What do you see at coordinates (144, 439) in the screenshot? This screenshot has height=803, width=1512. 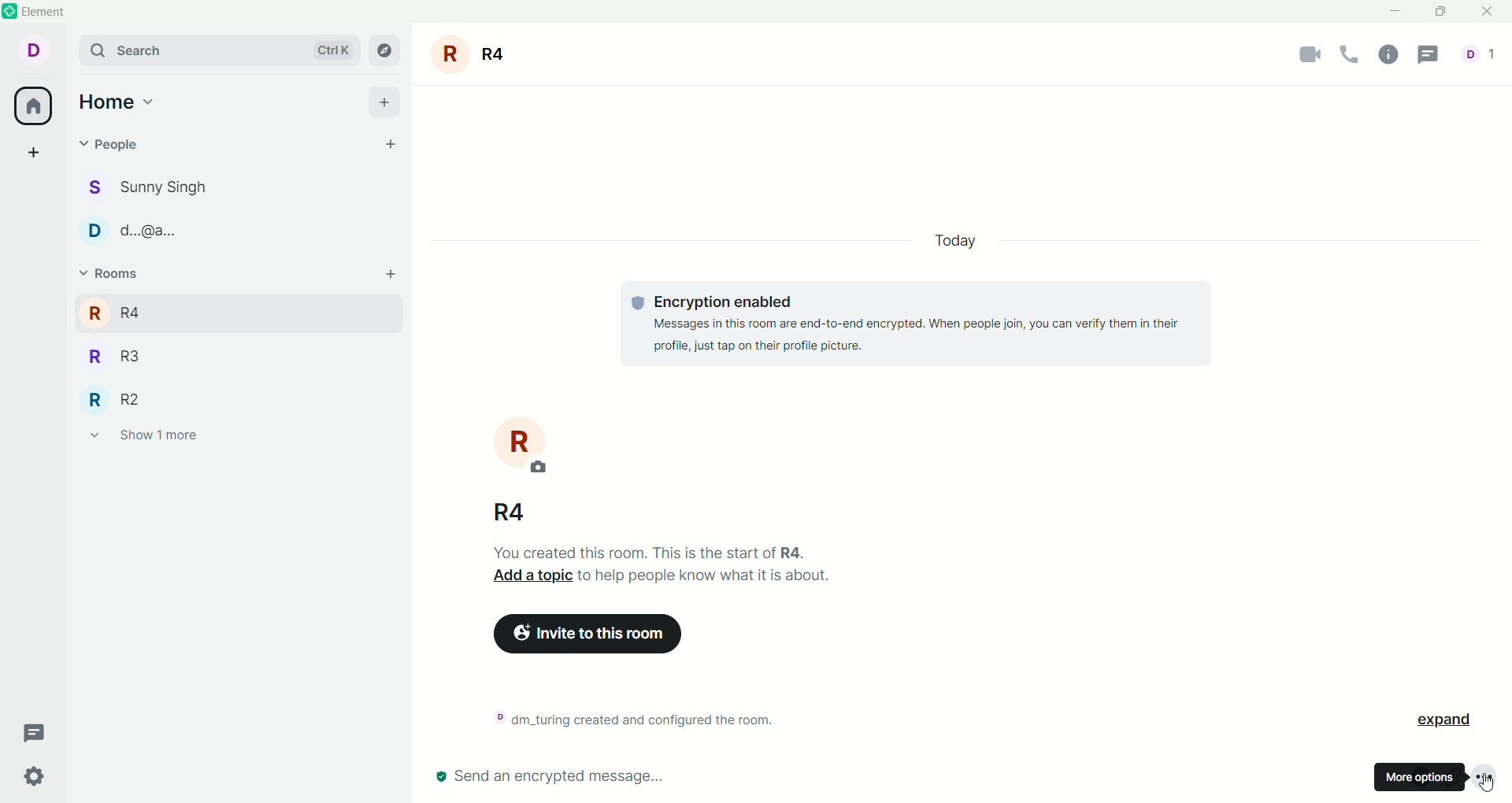 I see `show 1 more` at bounding box center [144, 439].